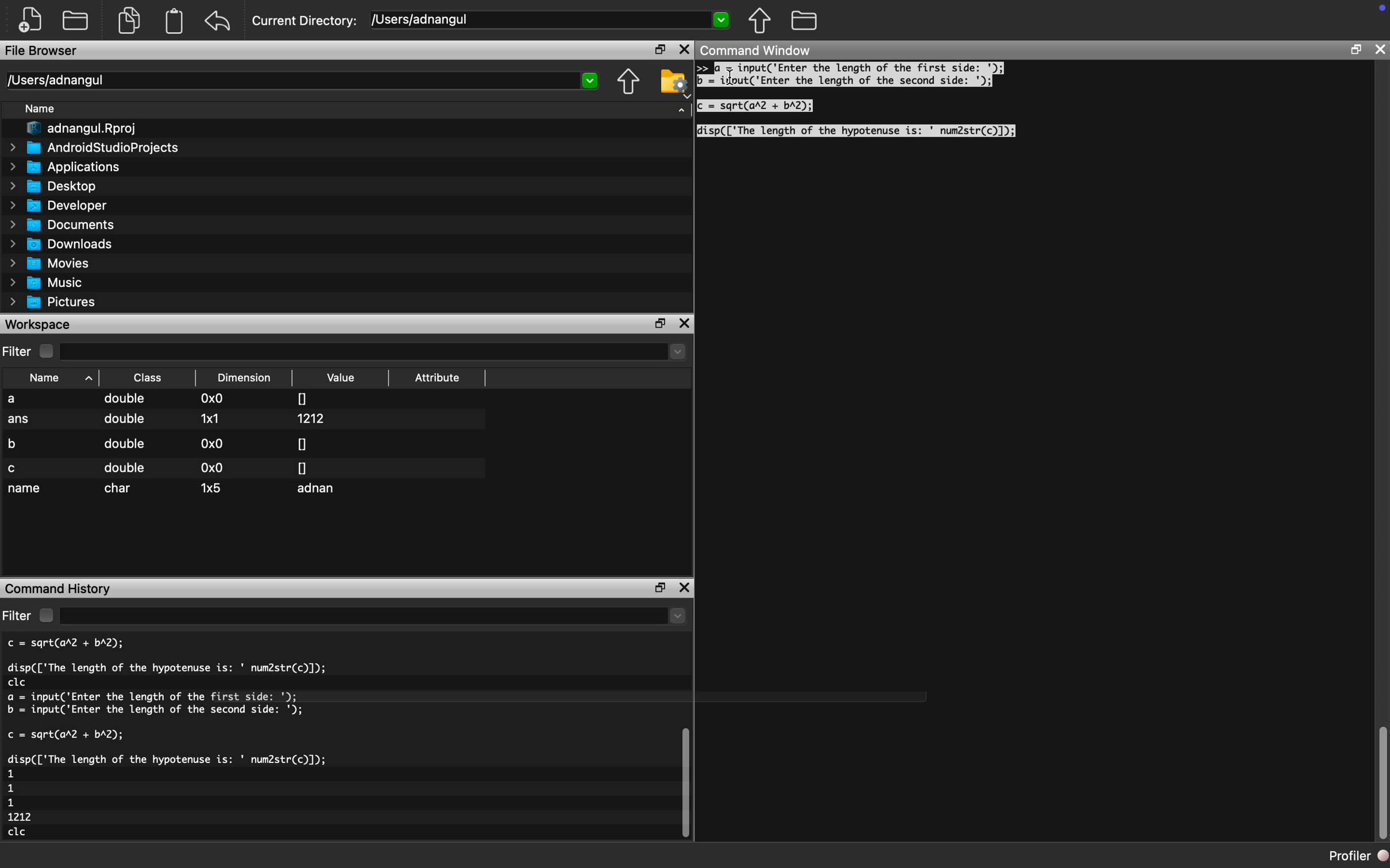 The image size is (1390, 868). Describe the element at coordinates (375, 617) in the screenshot. I see `dropdown` at that location.